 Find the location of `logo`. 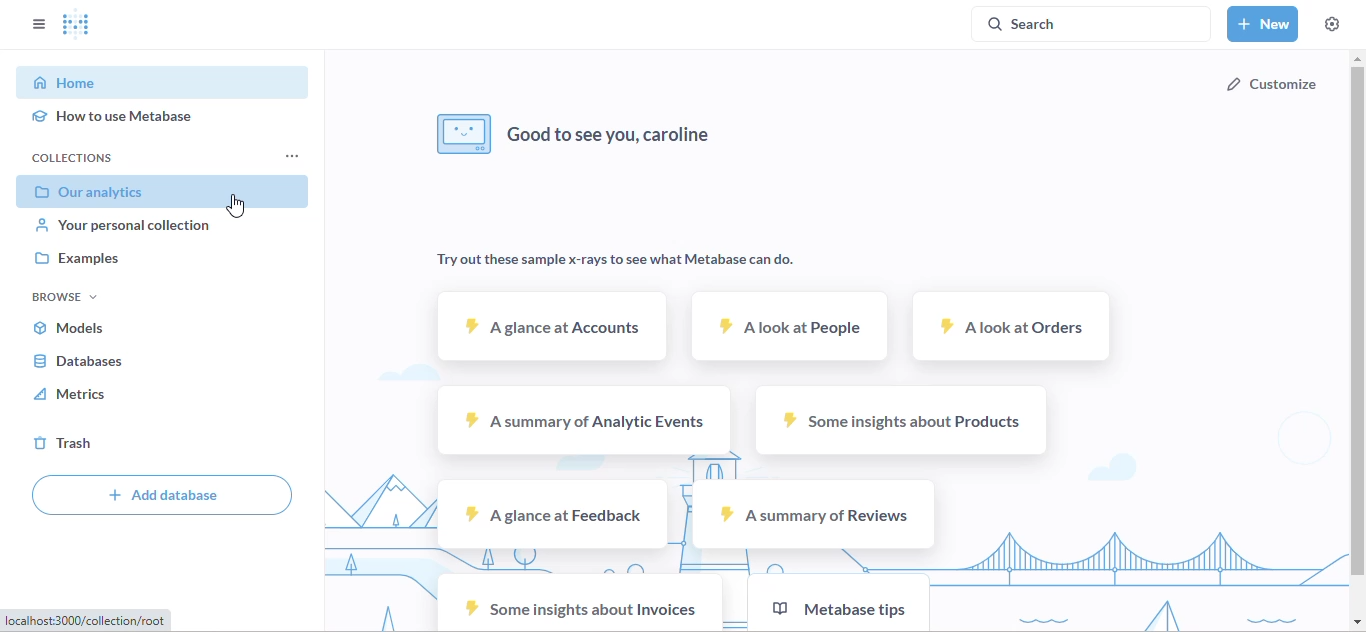

logo is located at coordinates (77, 23).